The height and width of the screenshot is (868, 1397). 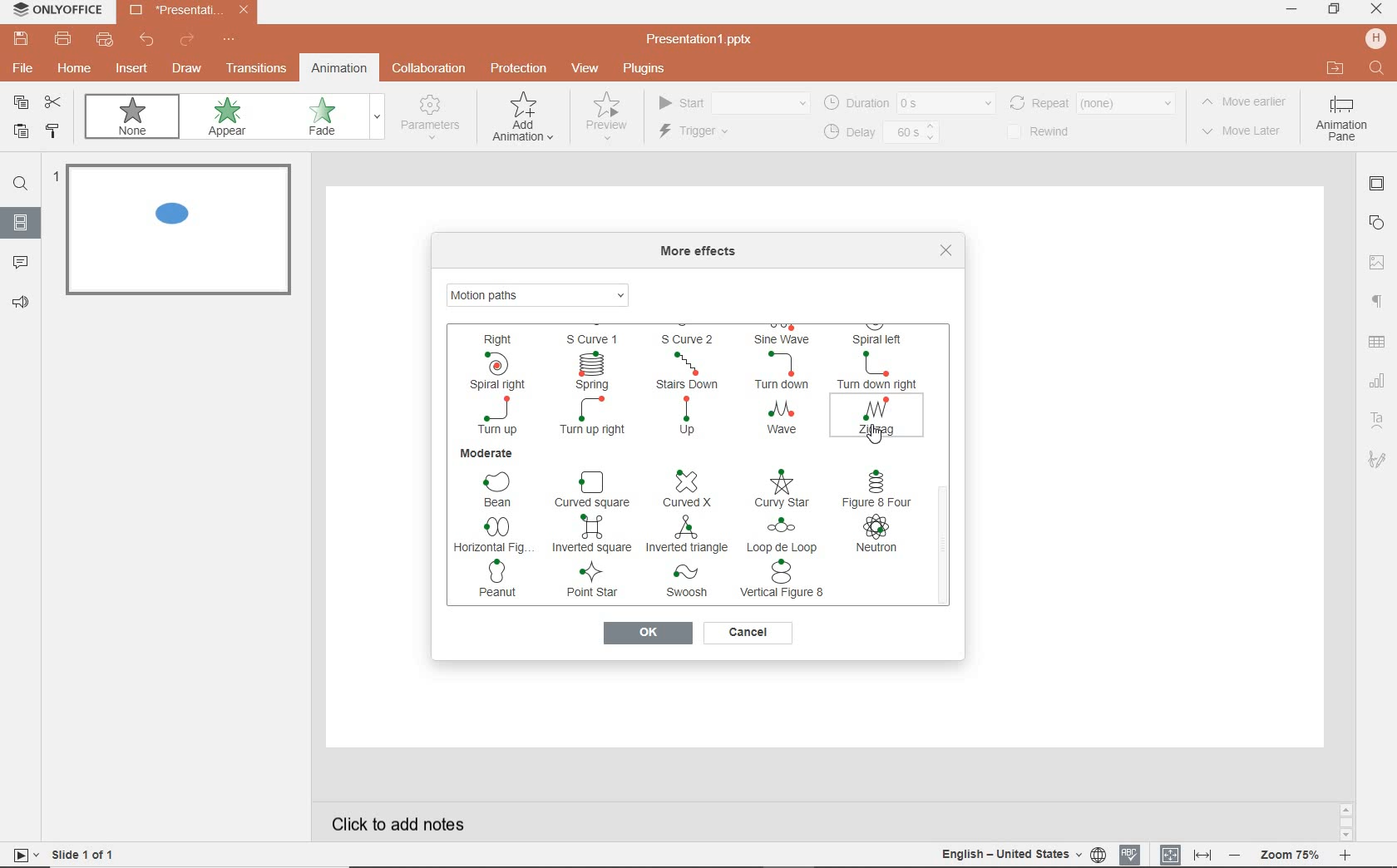 I want to click on quick print, so click(x=106, y=42).